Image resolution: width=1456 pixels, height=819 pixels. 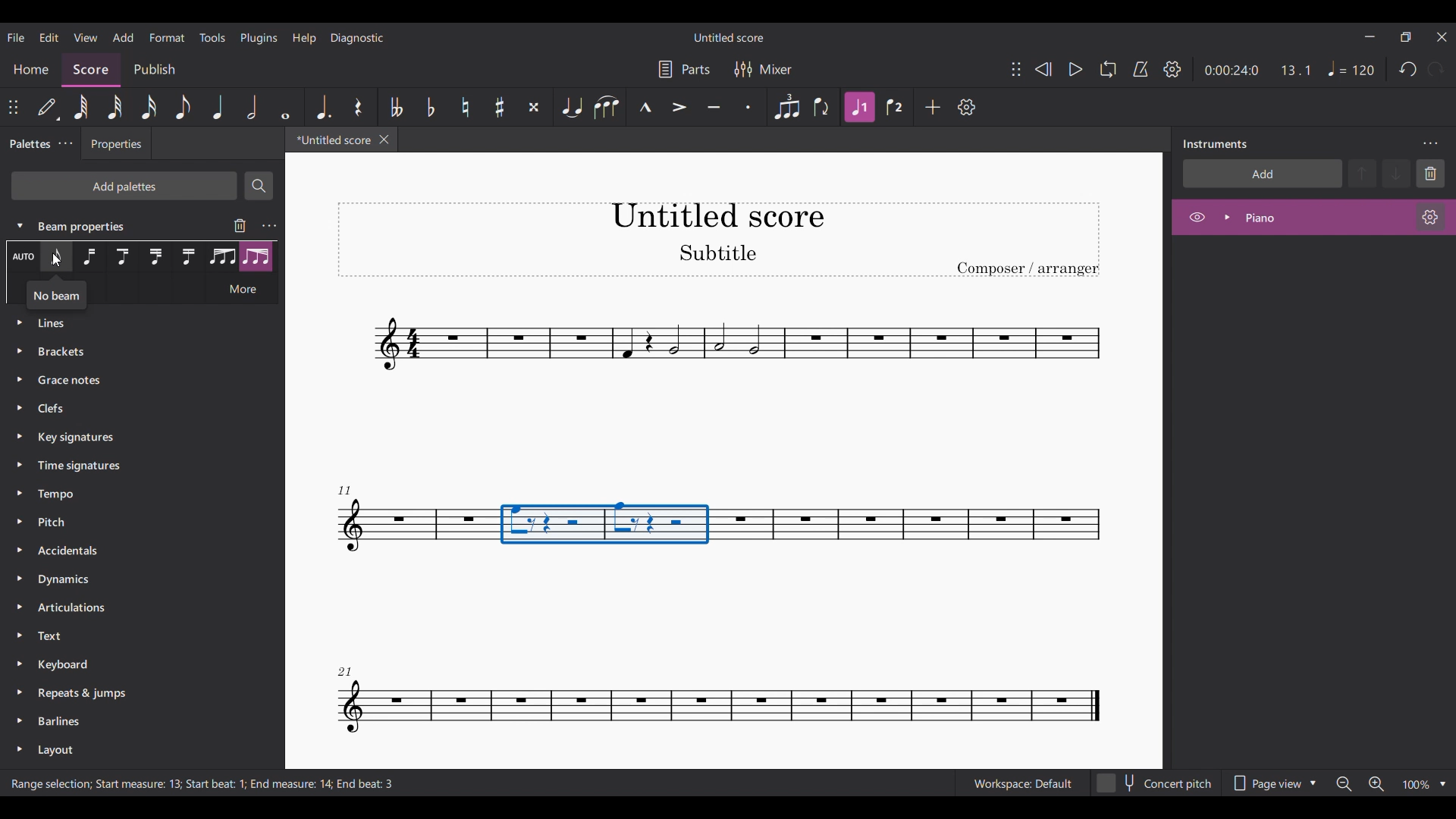 What do you see at coordinates (1276, 779) in the screenshot?
I see `Page view options` at bounding box center [1276, 779].